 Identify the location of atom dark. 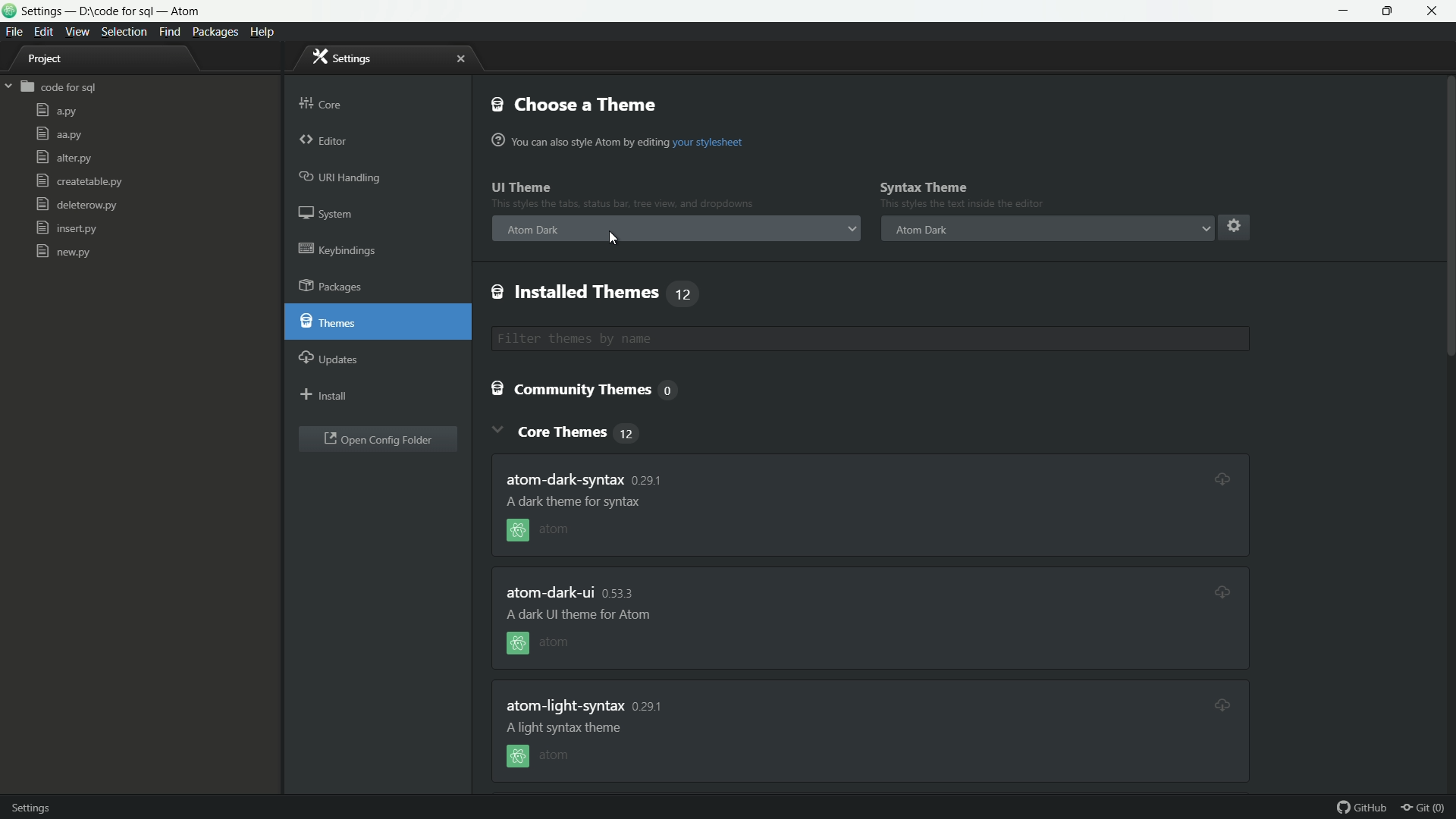
(920, 229).